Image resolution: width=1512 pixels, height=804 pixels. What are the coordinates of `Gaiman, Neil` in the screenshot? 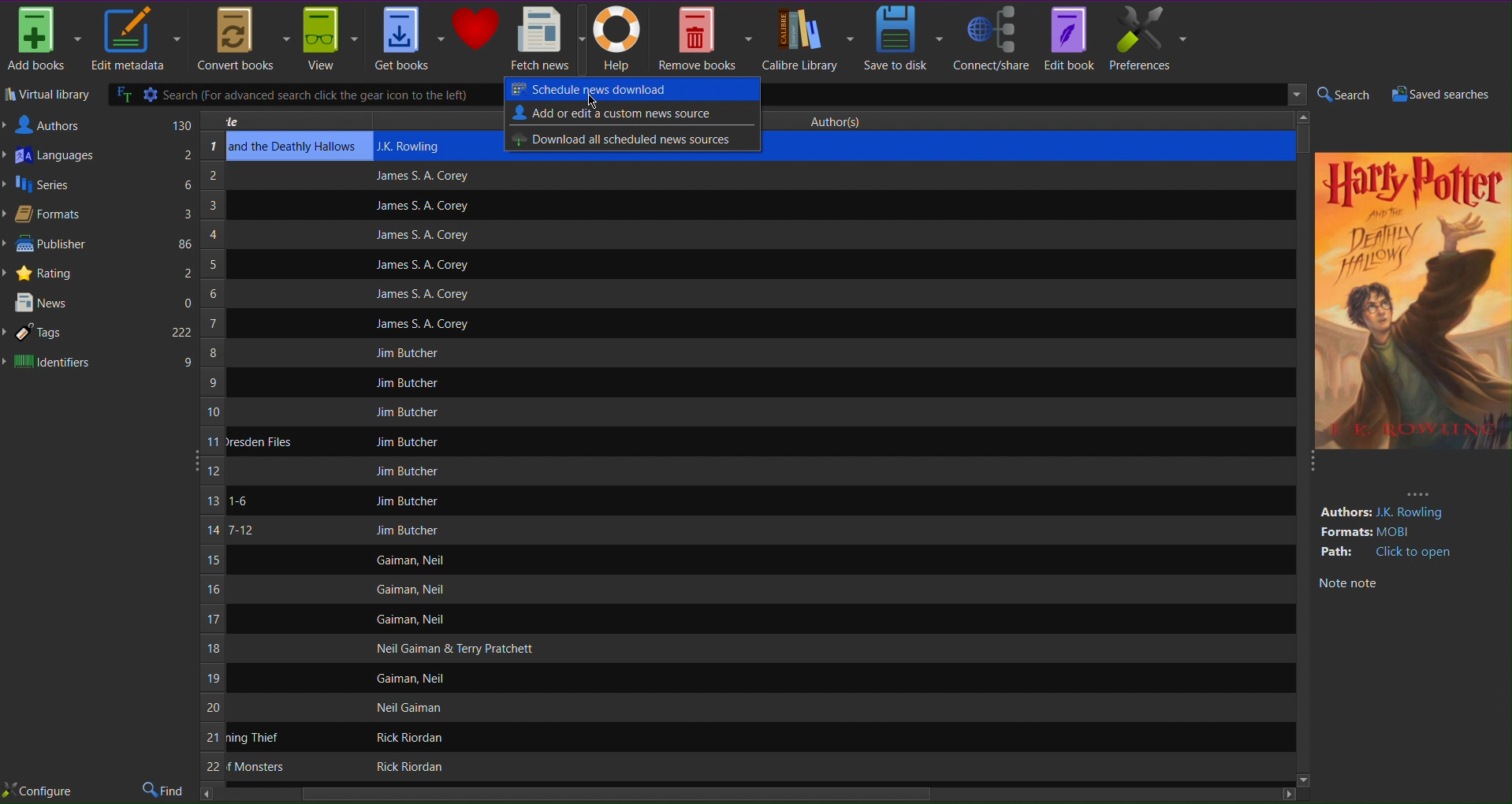 It's located at (408, 590).